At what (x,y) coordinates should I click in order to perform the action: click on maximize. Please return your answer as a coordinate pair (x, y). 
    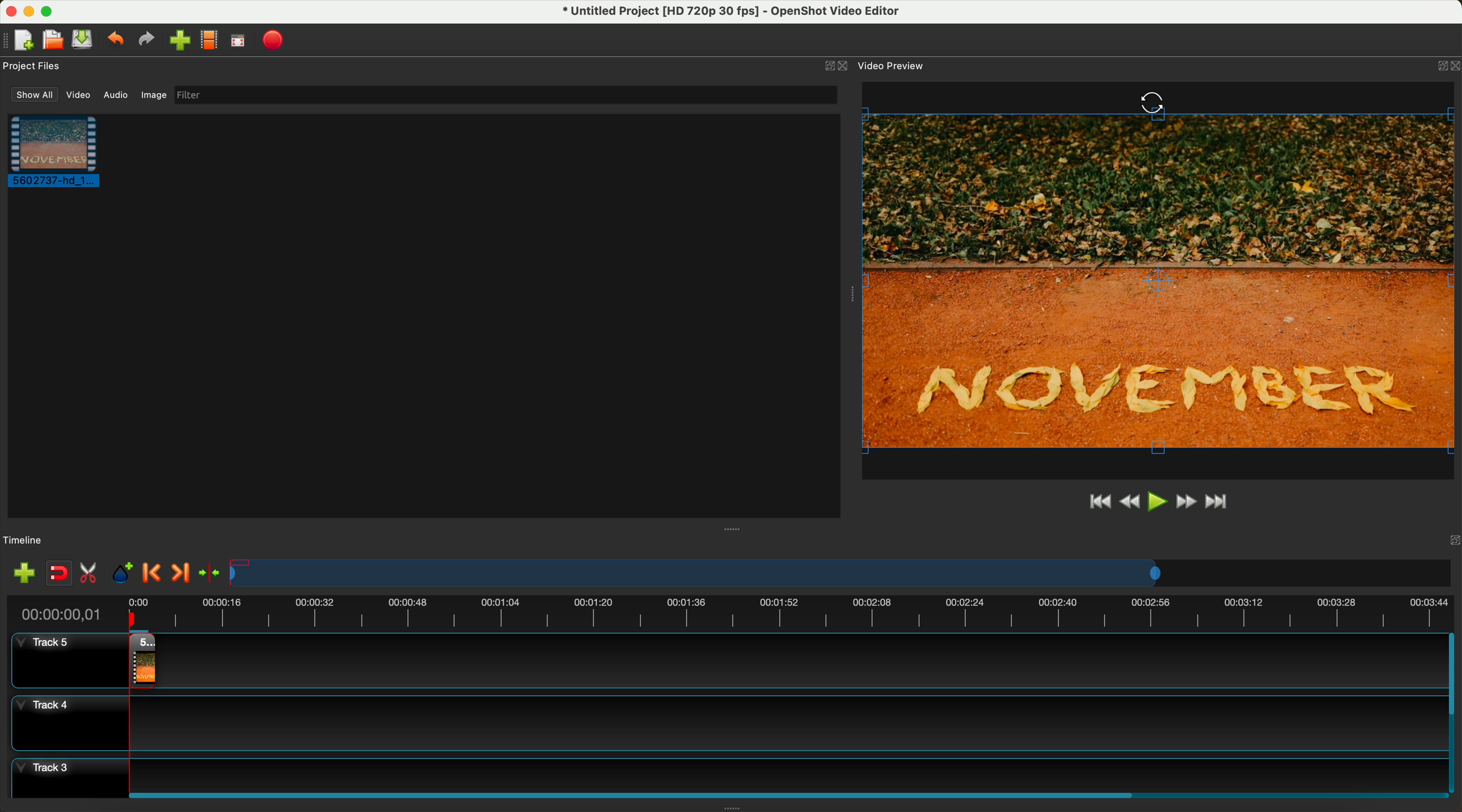
    Looking at the image, I should click on (50, 11).